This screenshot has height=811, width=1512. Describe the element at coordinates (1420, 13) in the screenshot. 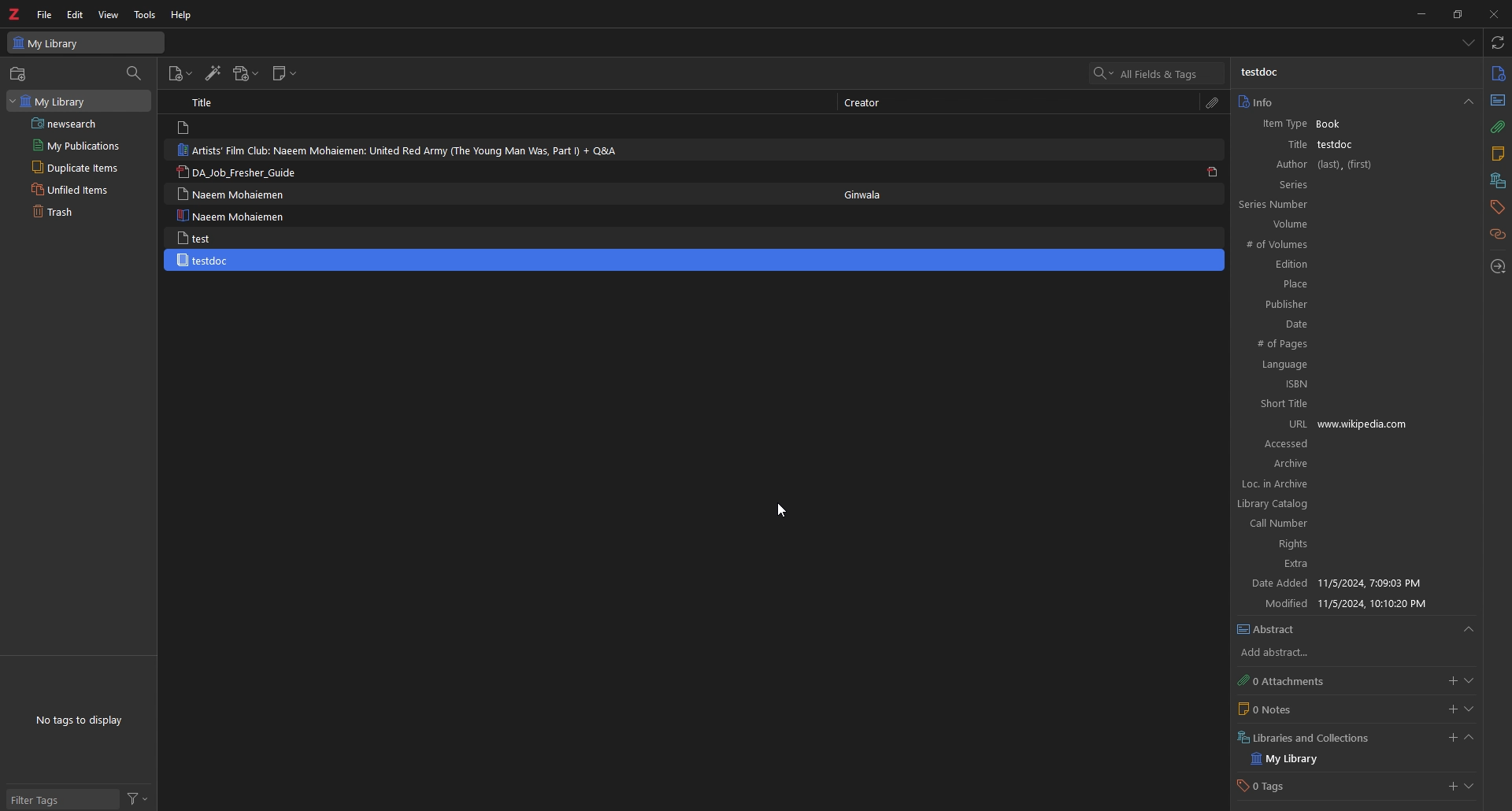

I see `minimize` at that location.